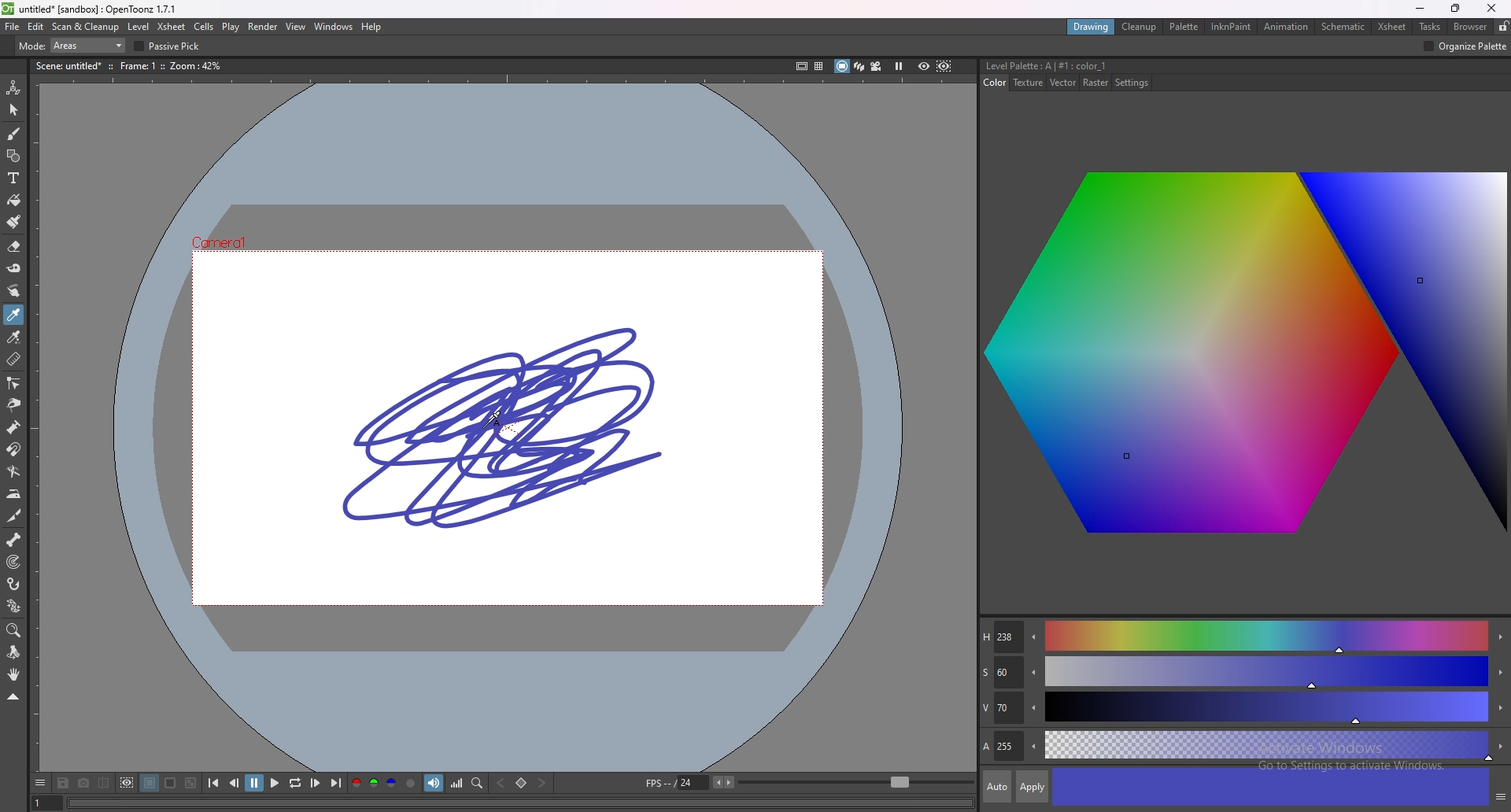 The height and width of the screenshot is (812, 1511). Describe the element at coordinates (911, 46) in the screenshot. I see `position` at that location.